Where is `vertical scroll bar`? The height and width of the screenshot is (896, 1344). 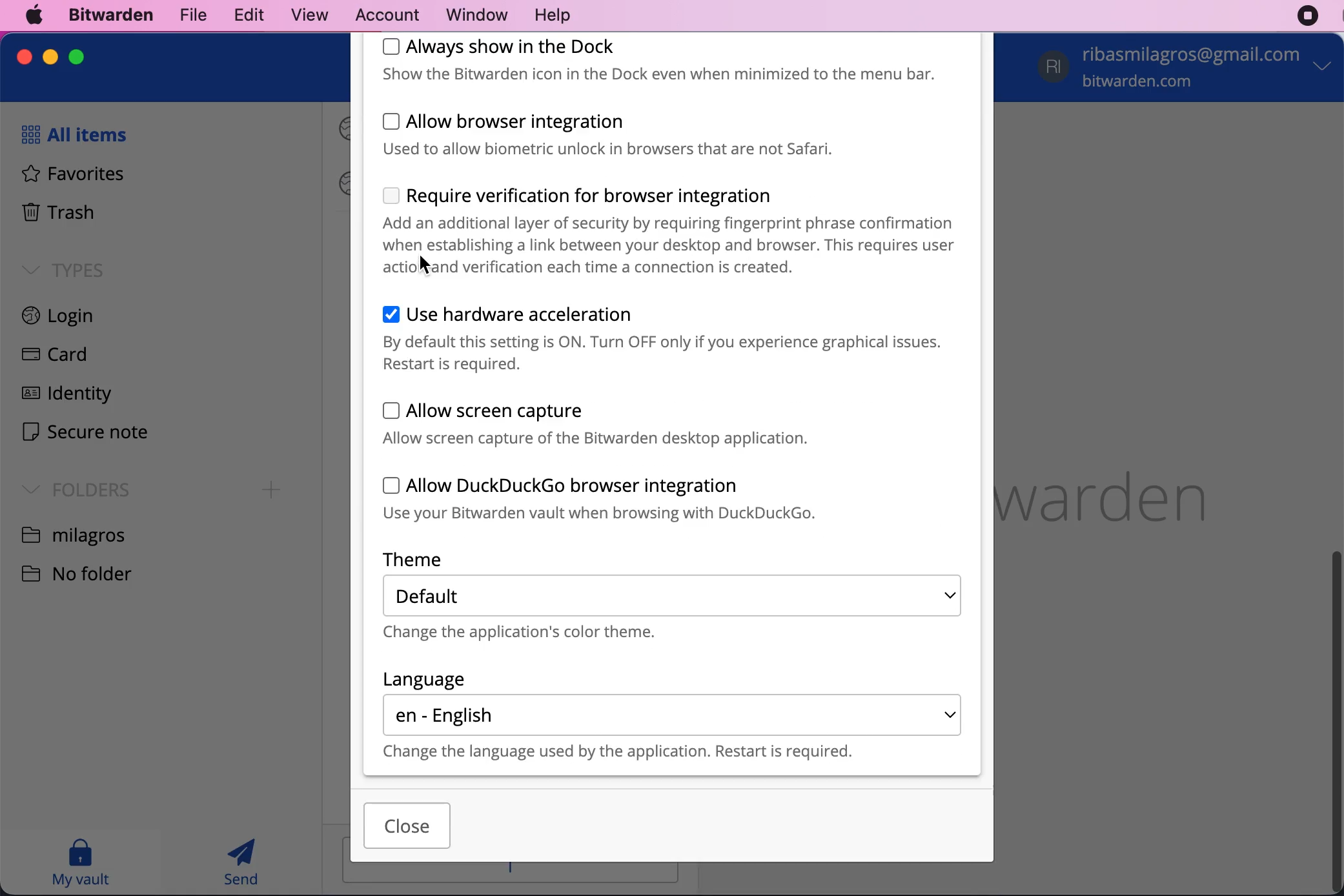 vertical scroll bar is located at coordinates (1336, 720).